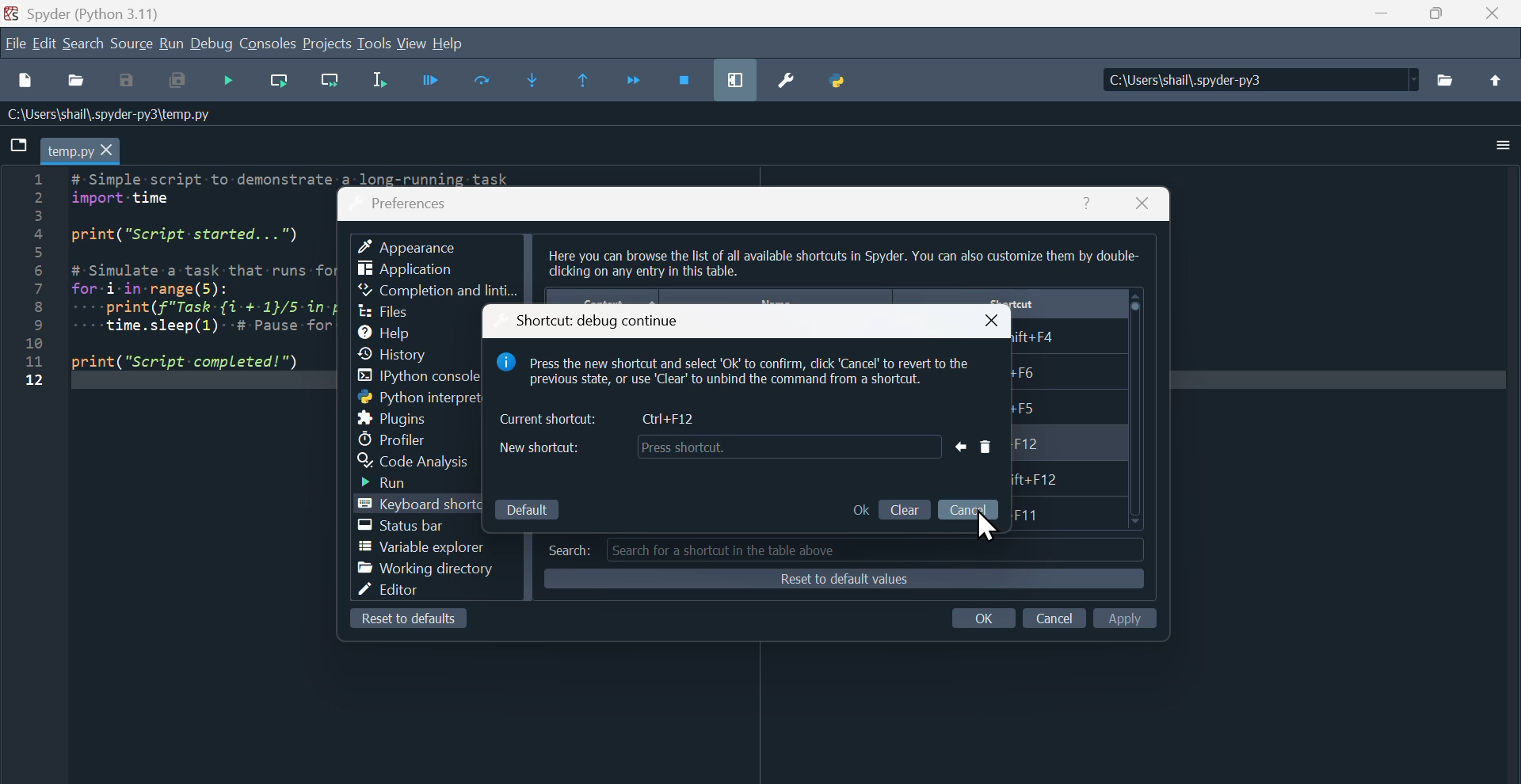  I want to click on close, so click(997, 321).